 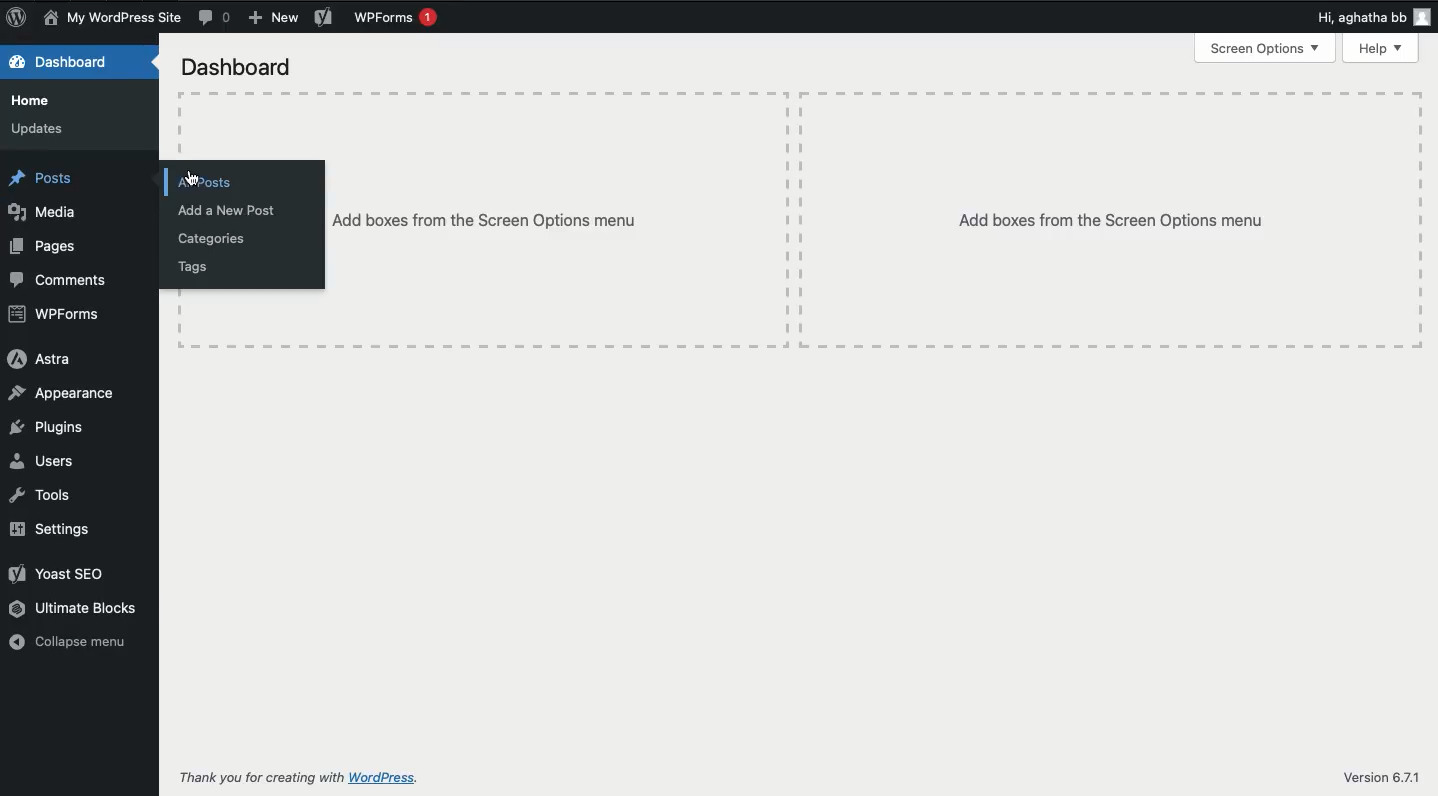 I want to click on Settings, so click(x=59, y=532).